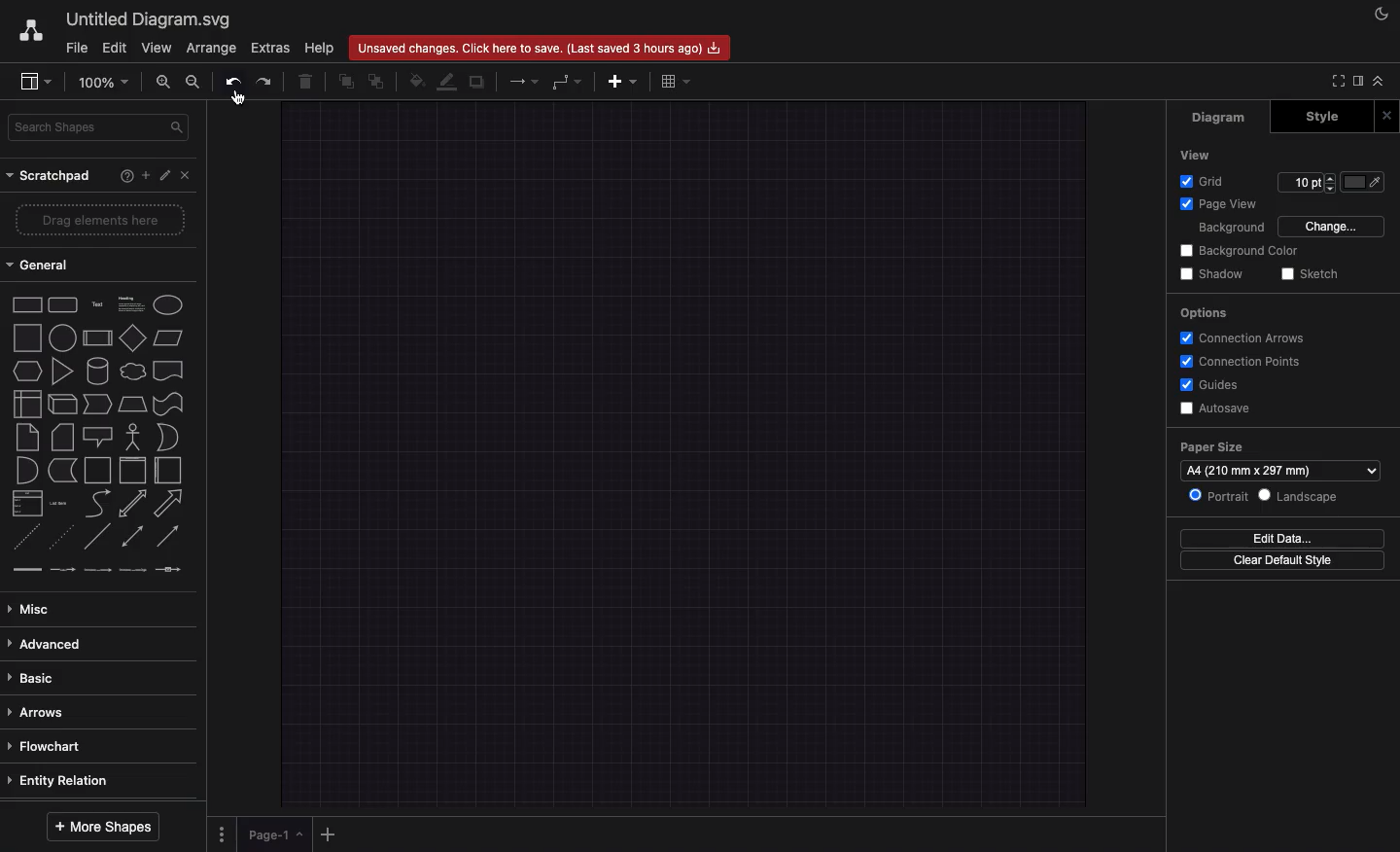  What do you see at coordinates (1387, 115) in the screenshot?
I see `Close` at bounding box center [1387, 115].